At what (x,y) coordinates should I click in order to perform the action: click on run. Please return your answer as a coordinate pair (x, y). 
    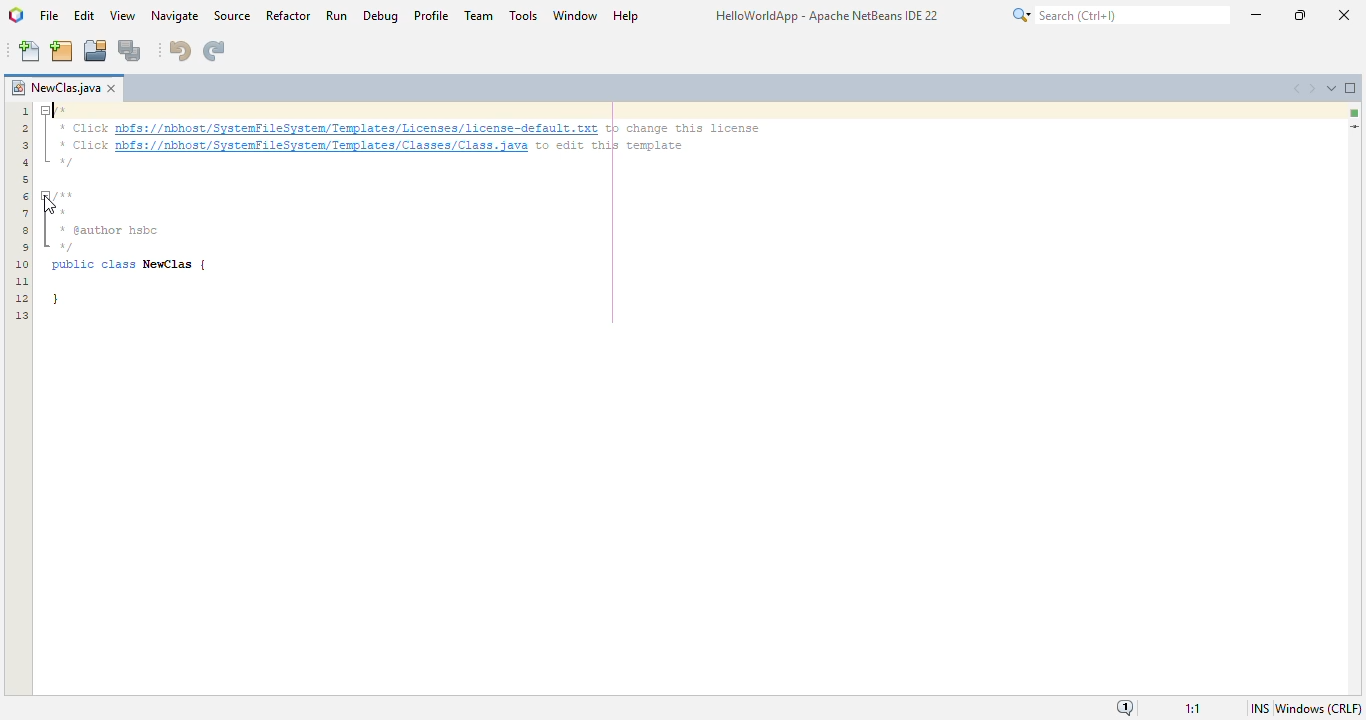
    Looking at the image, I should click on (336, 15).